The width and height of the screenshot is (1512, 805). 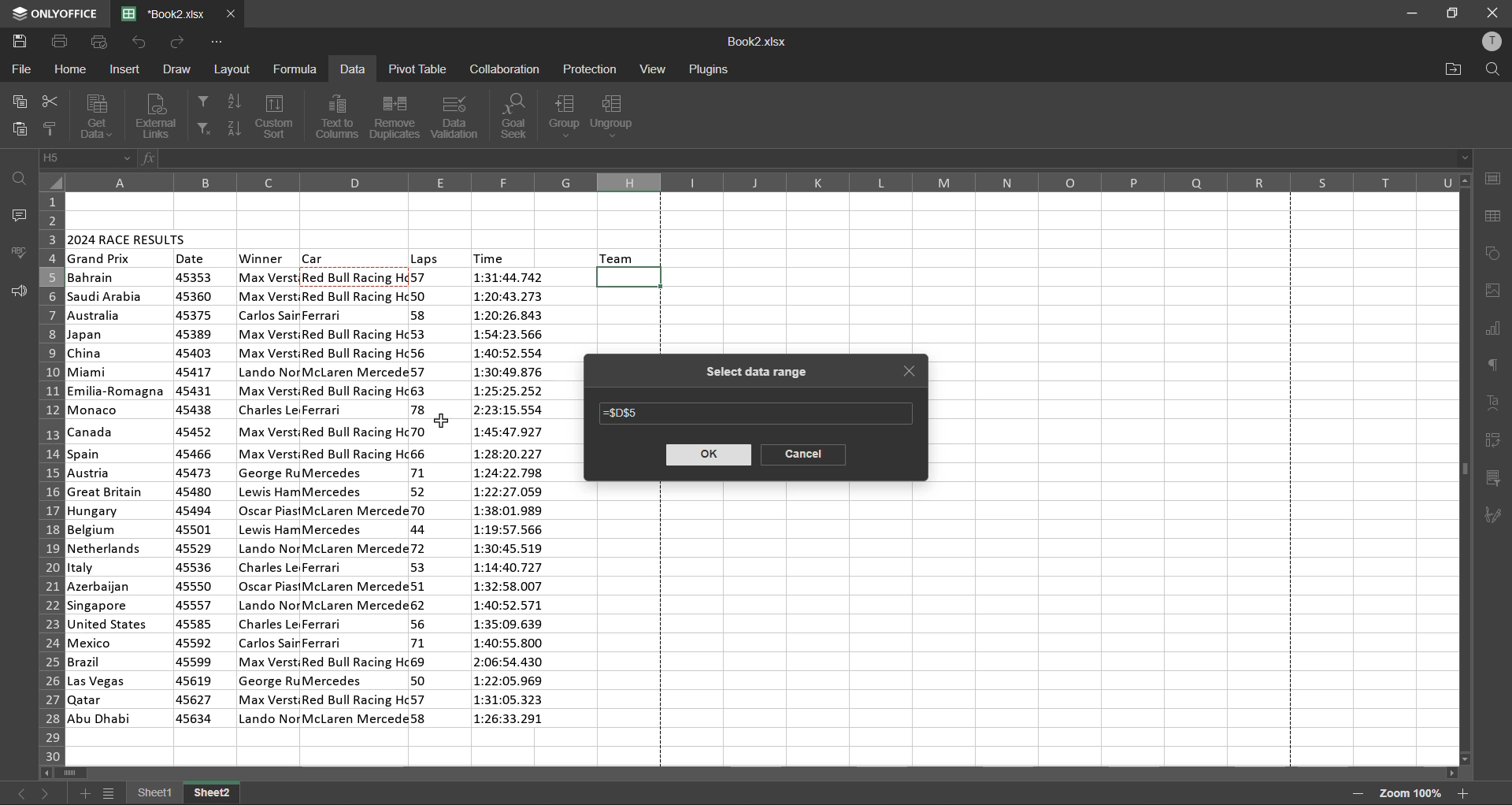 I want to click on goal seek, so click(x=518, y=117).